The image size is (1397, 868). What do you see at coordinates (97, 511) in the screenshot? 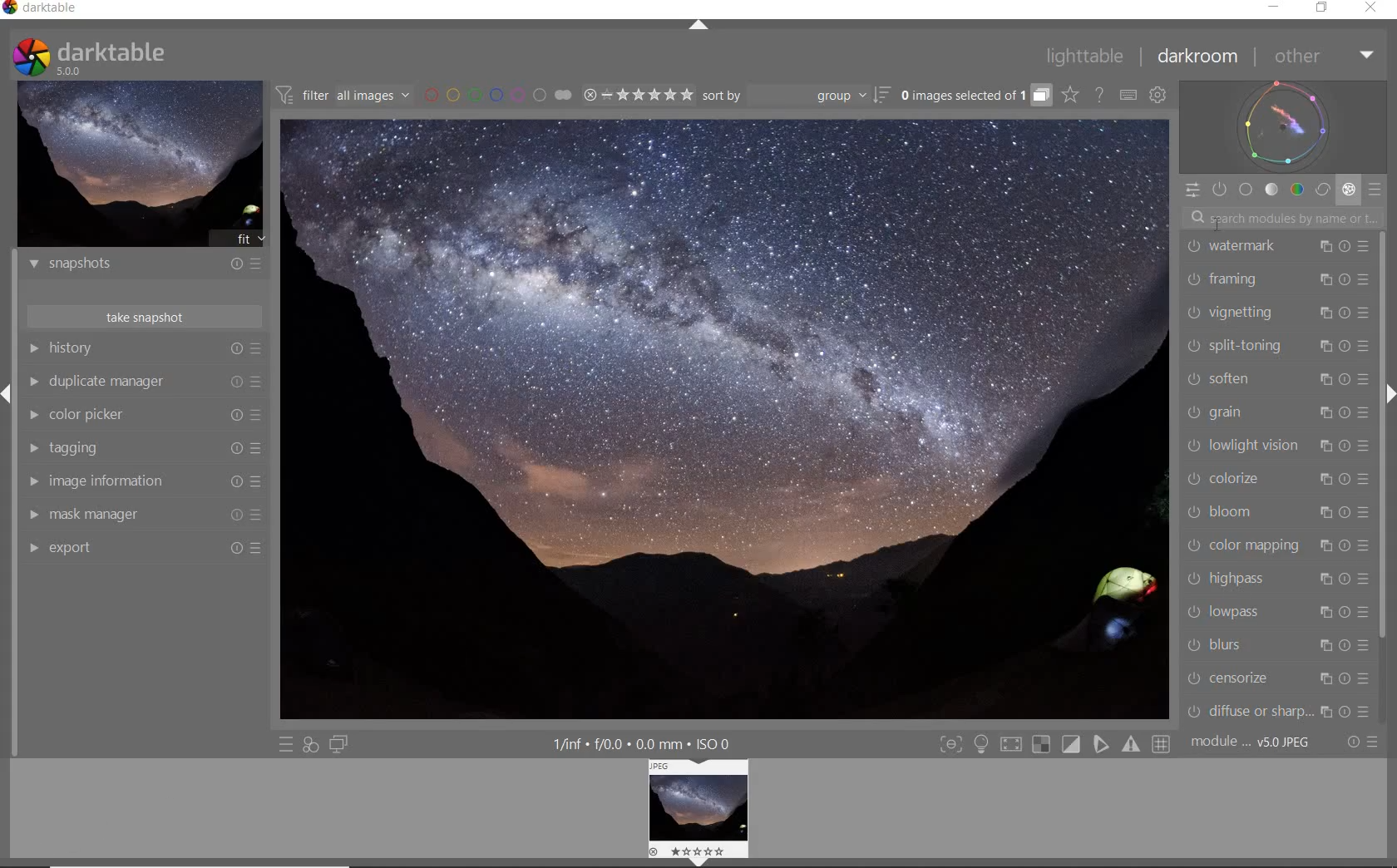
I see `mask manager` at bounding box center [97, 511].